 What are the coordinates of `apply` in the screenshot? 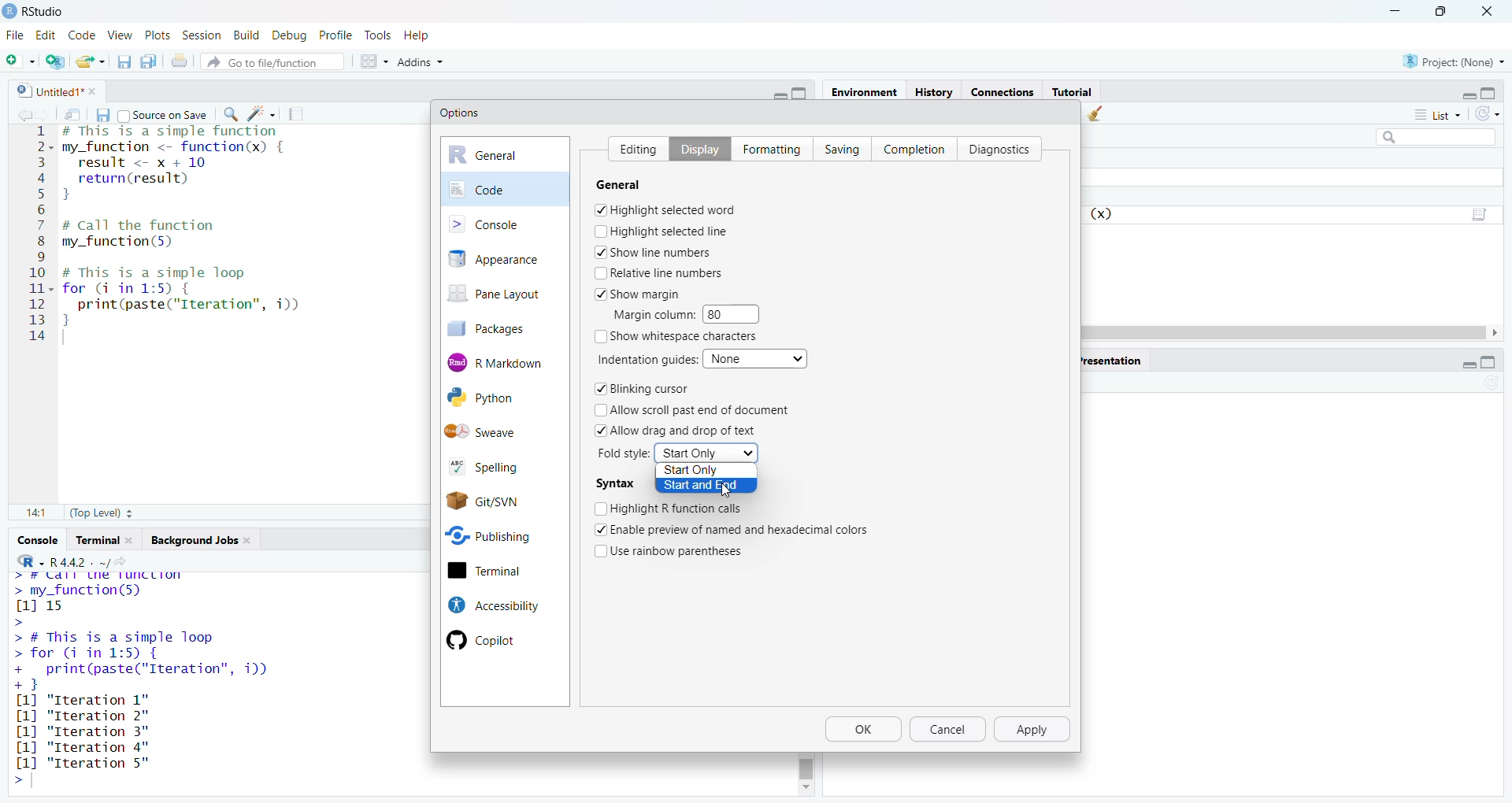 It's located at (1035, 730).